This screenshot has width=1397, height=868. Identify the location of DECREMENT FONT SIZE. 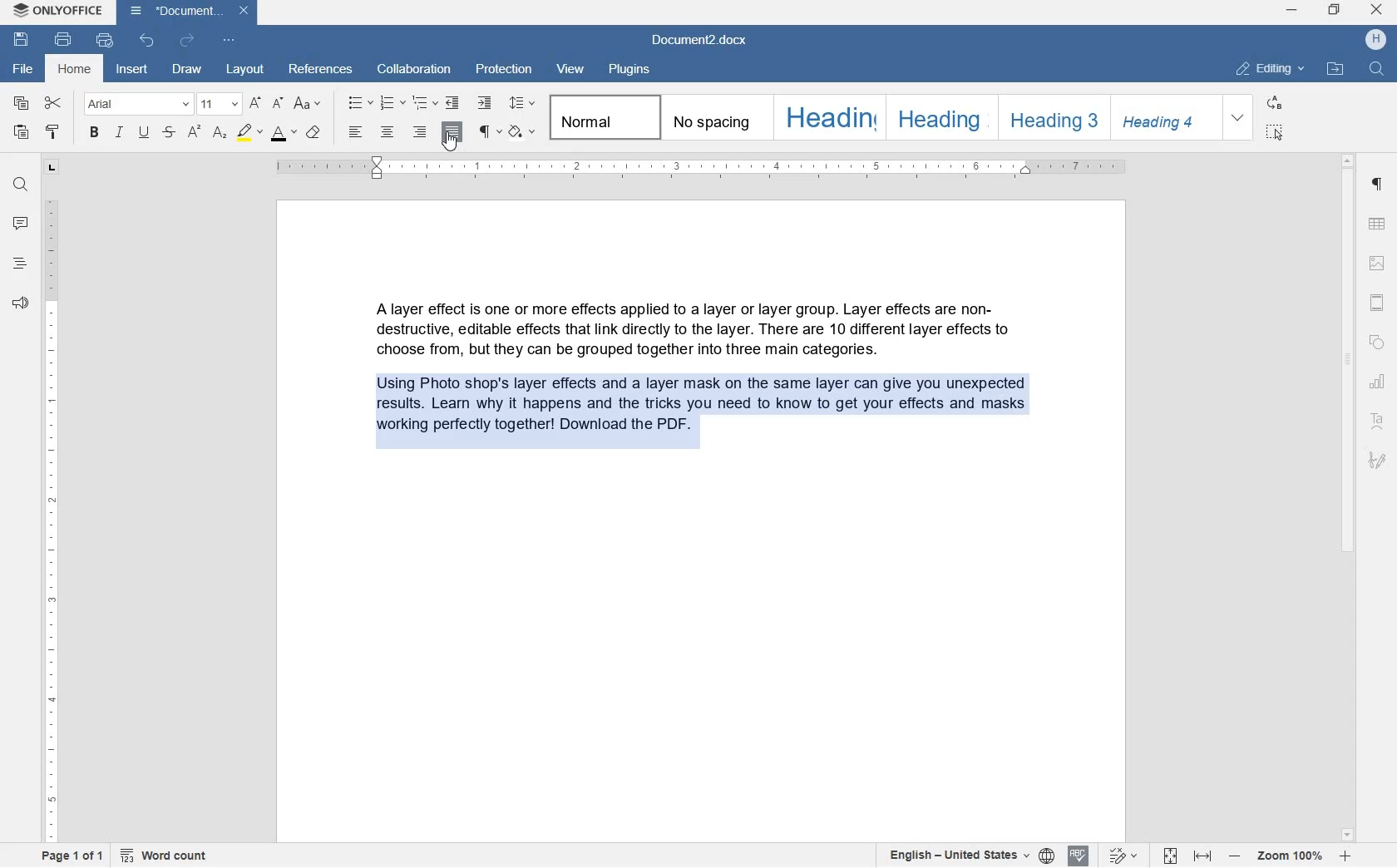
(279, 102).